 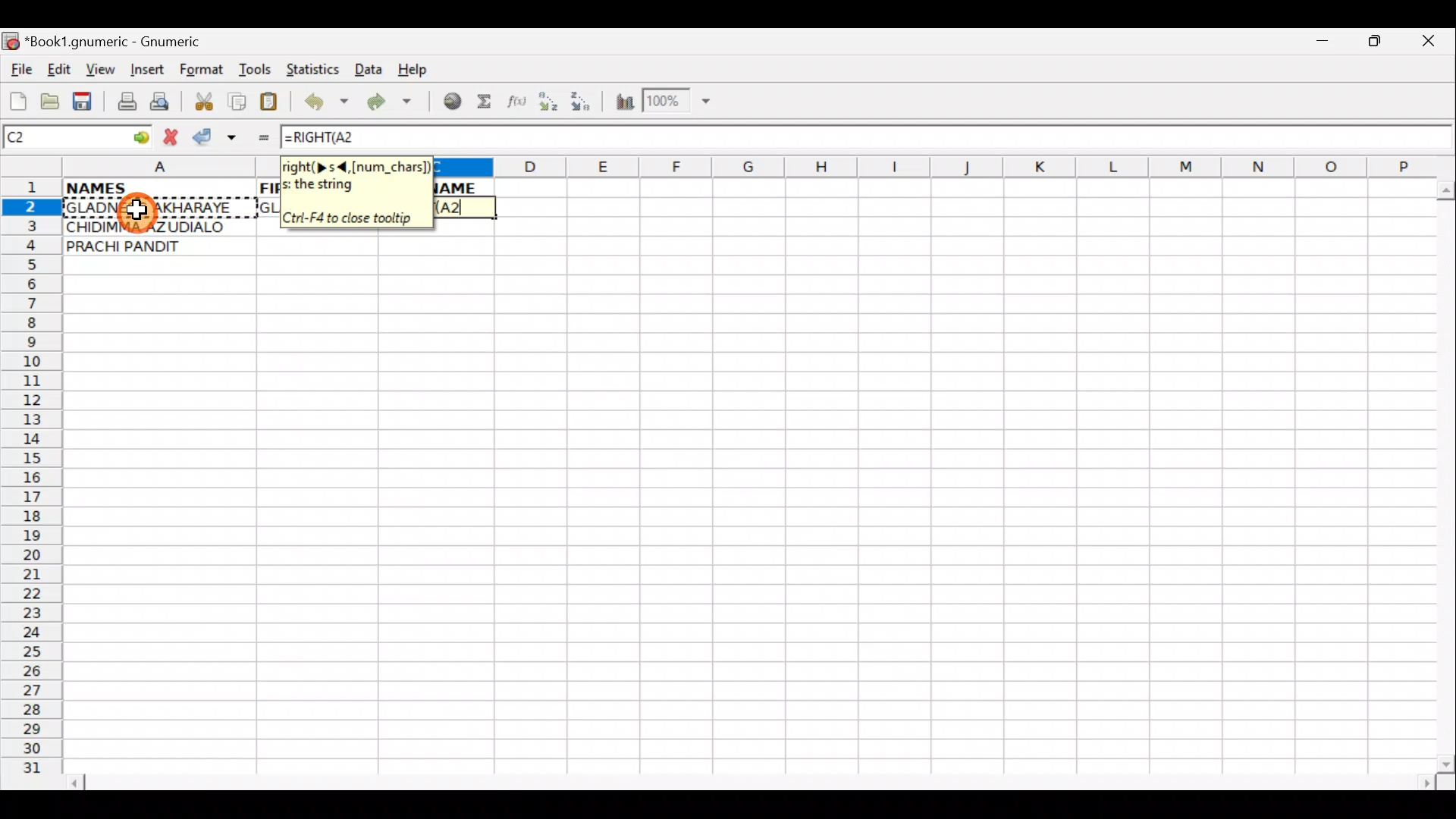 I want to click on NAMES, so click(x=146, y=187).